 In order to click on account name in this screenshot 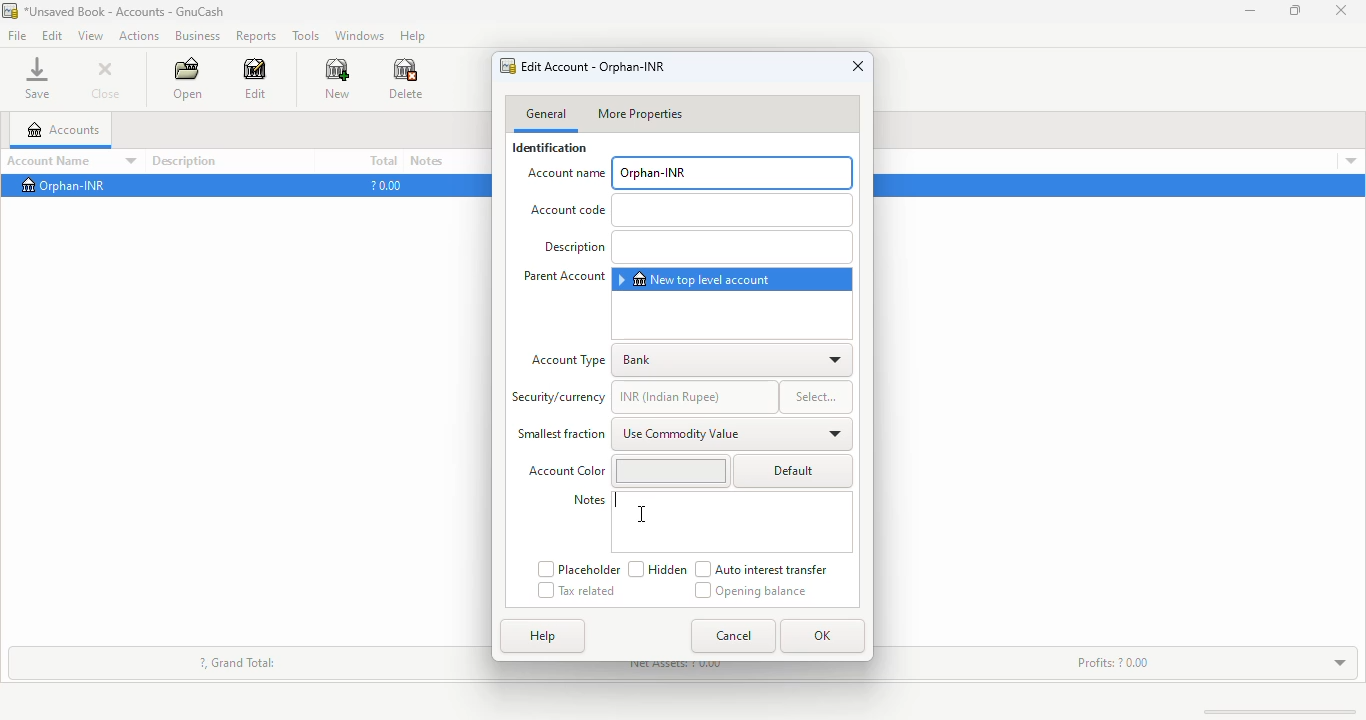, I will do `click(565, 175)`.